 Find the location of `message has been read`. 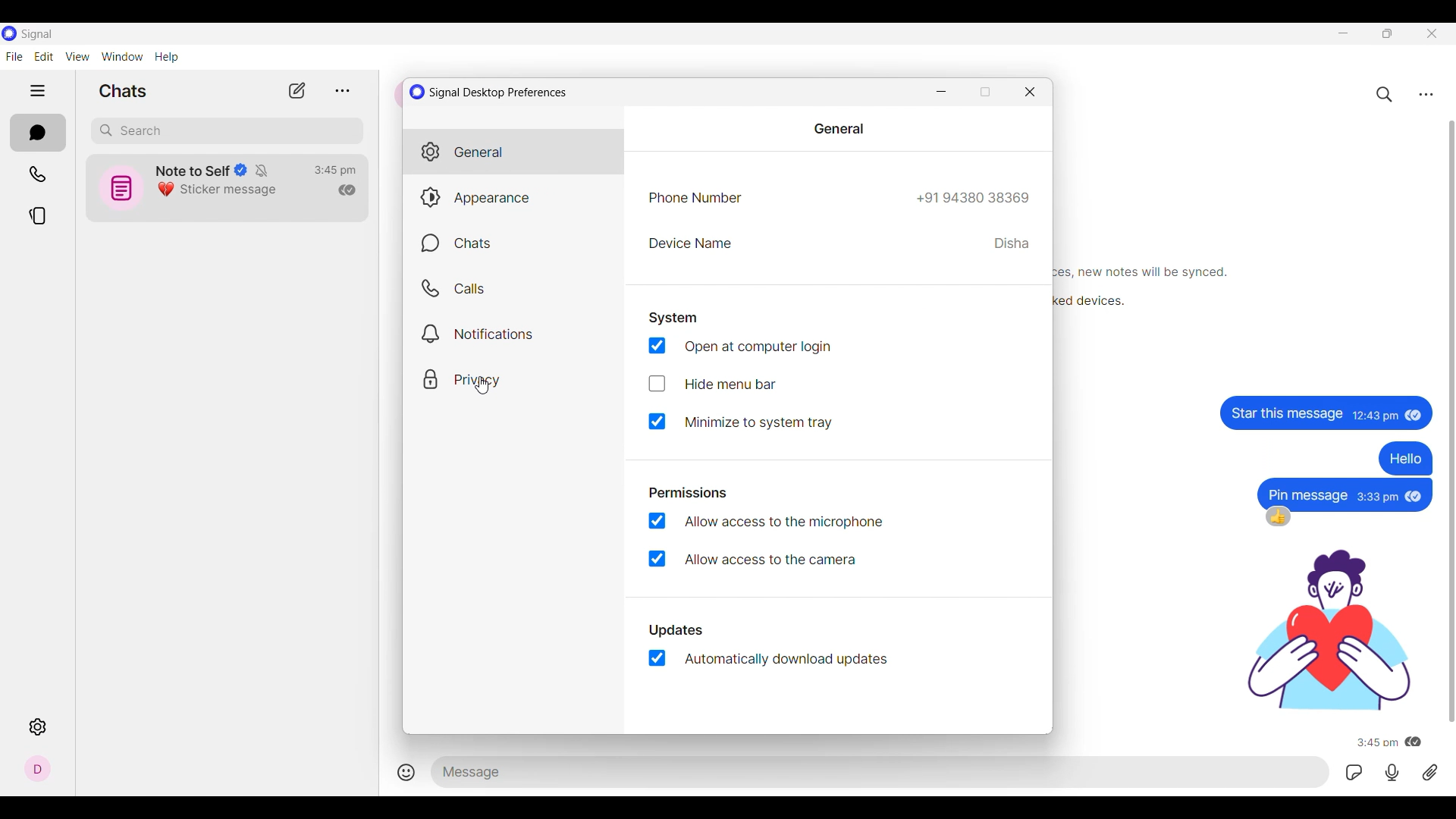

message has been read is located at coordinates (1417, 497).